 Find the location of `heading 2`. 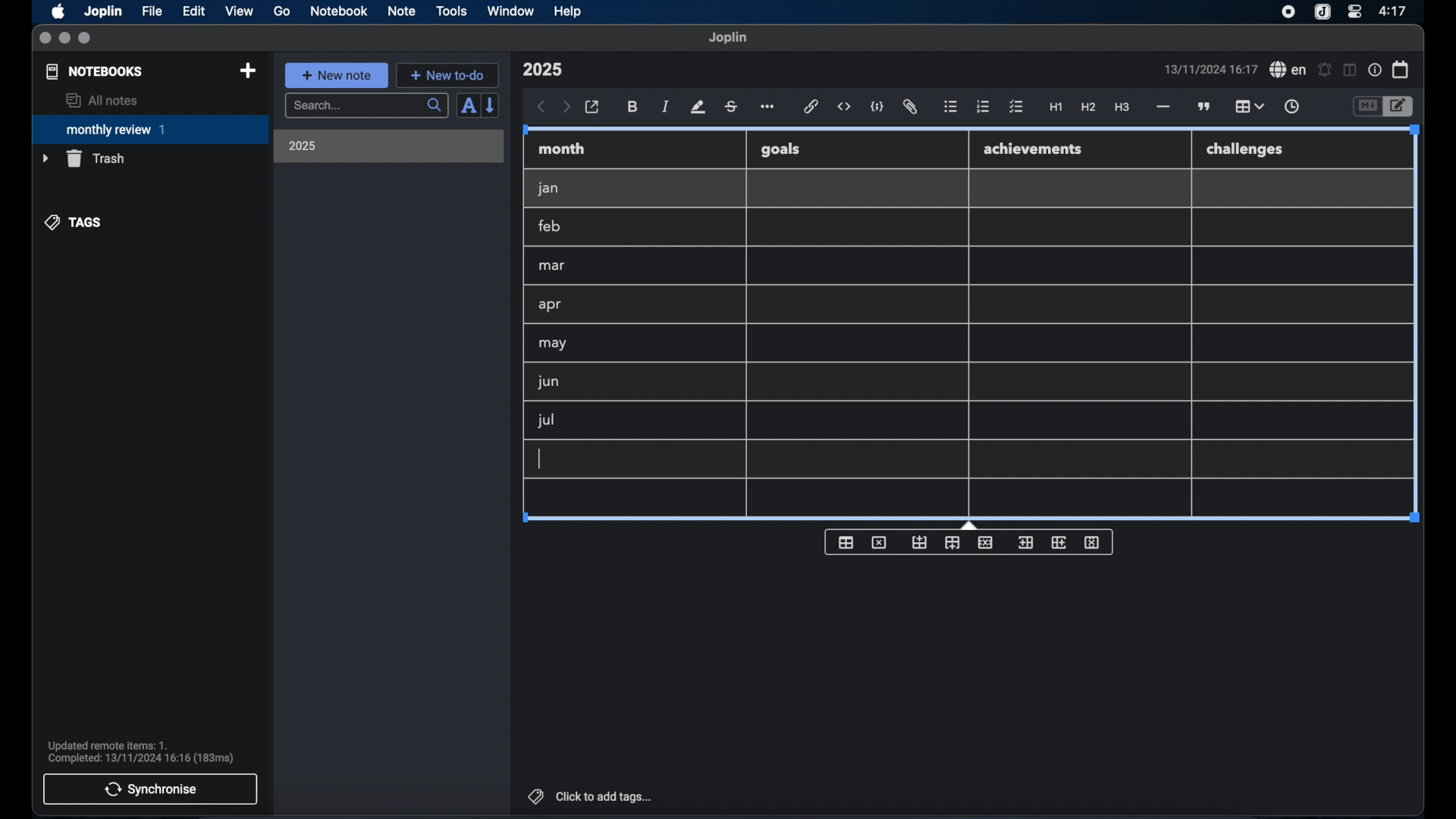

heading 2 is located at coordinates (1089, 108).